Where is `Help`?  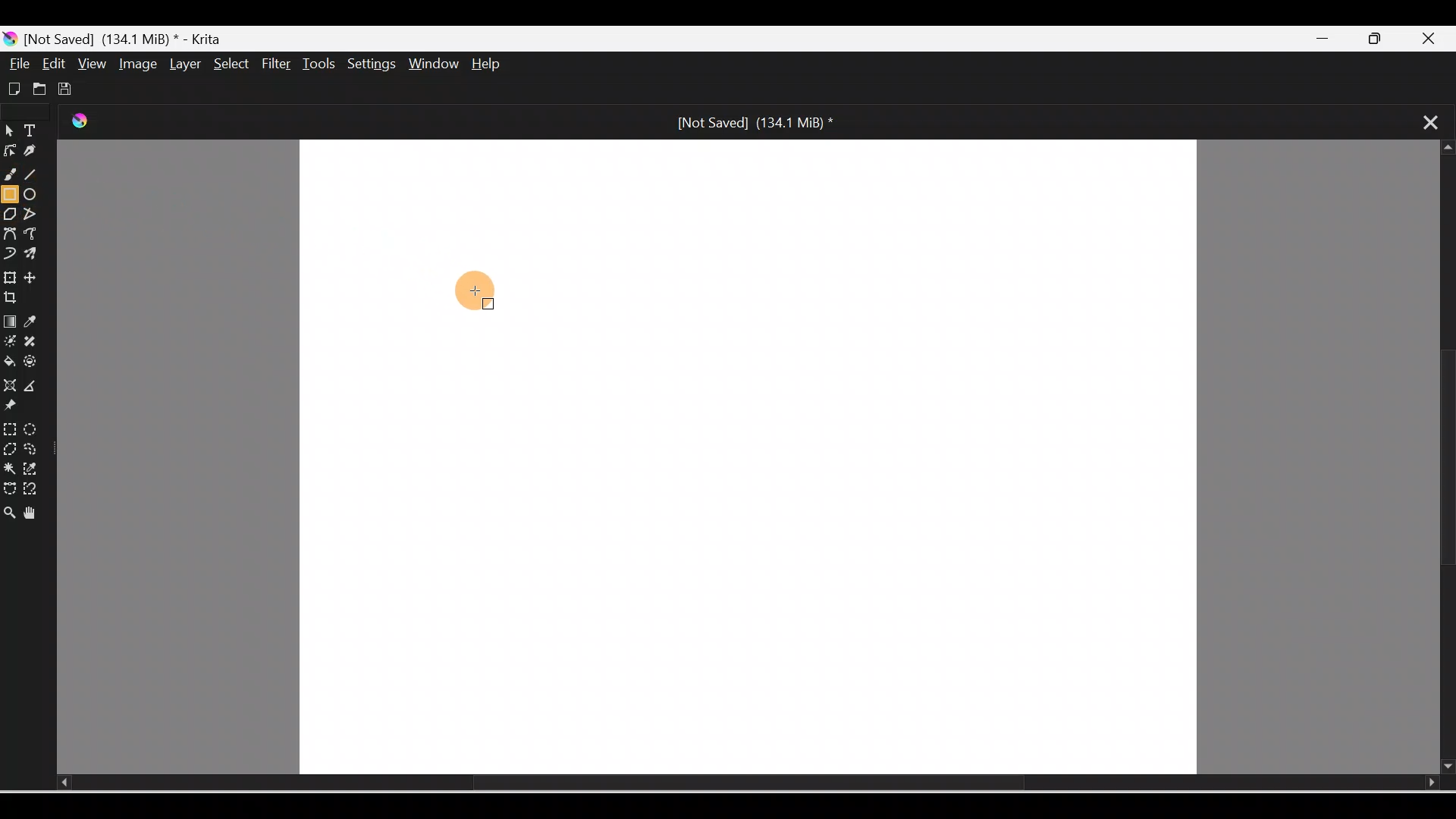 Help is located at coordinates (499, 65).